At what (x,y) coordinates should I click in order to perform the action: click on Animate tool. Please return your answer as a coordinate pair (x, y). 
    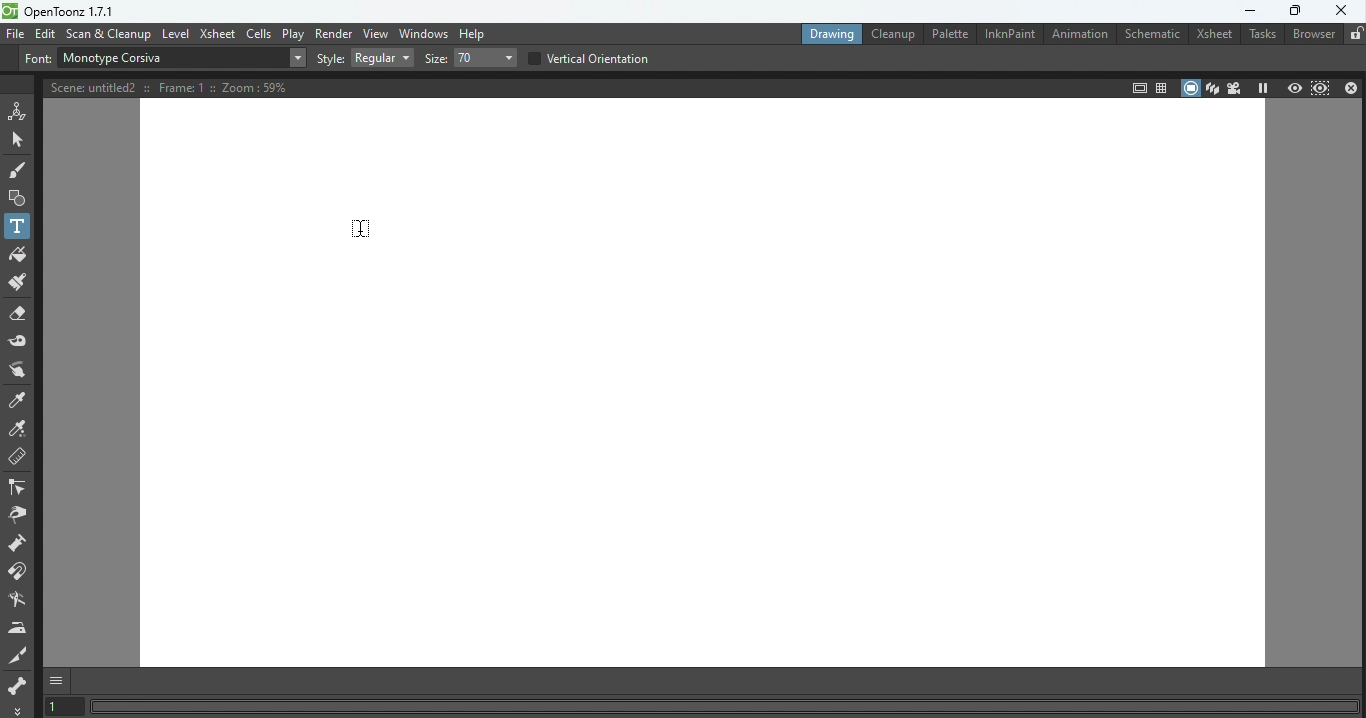
    Looking at the image, I should click on (18, 111).